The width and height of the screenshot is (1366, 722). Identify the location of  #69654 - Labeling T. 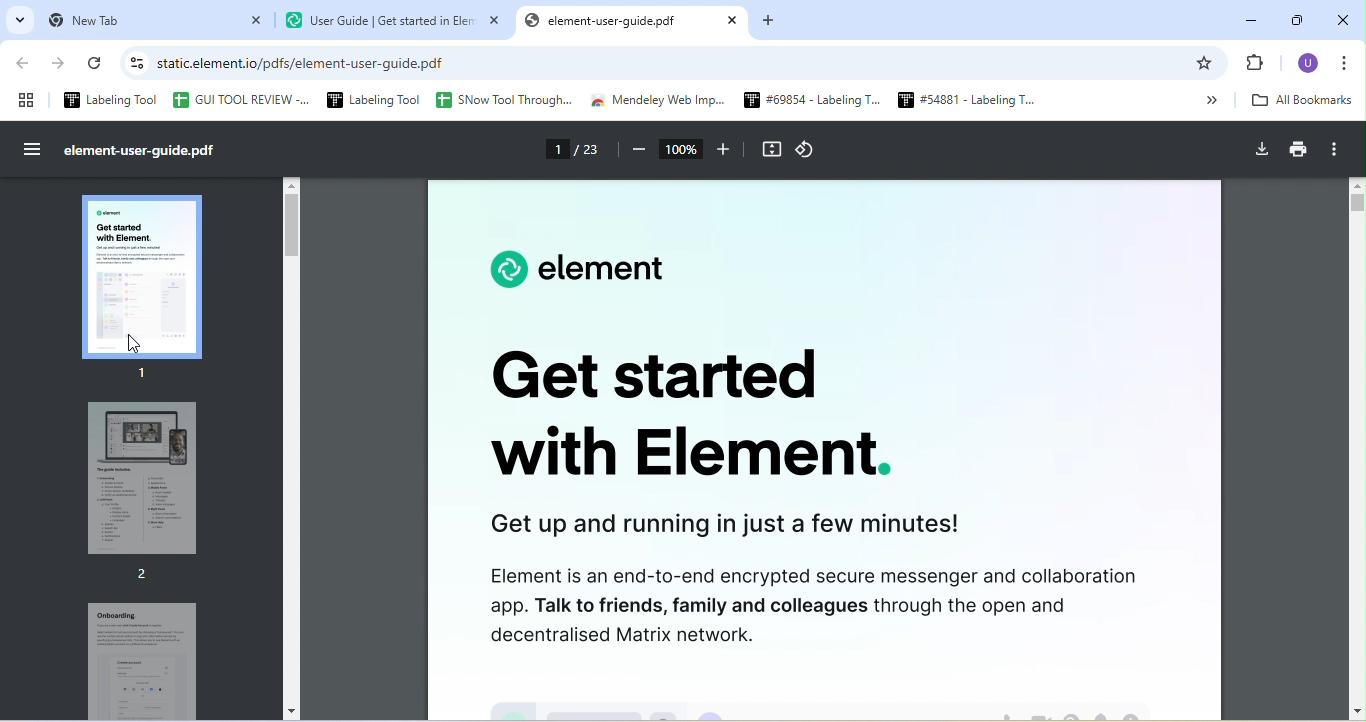
(807, 101).